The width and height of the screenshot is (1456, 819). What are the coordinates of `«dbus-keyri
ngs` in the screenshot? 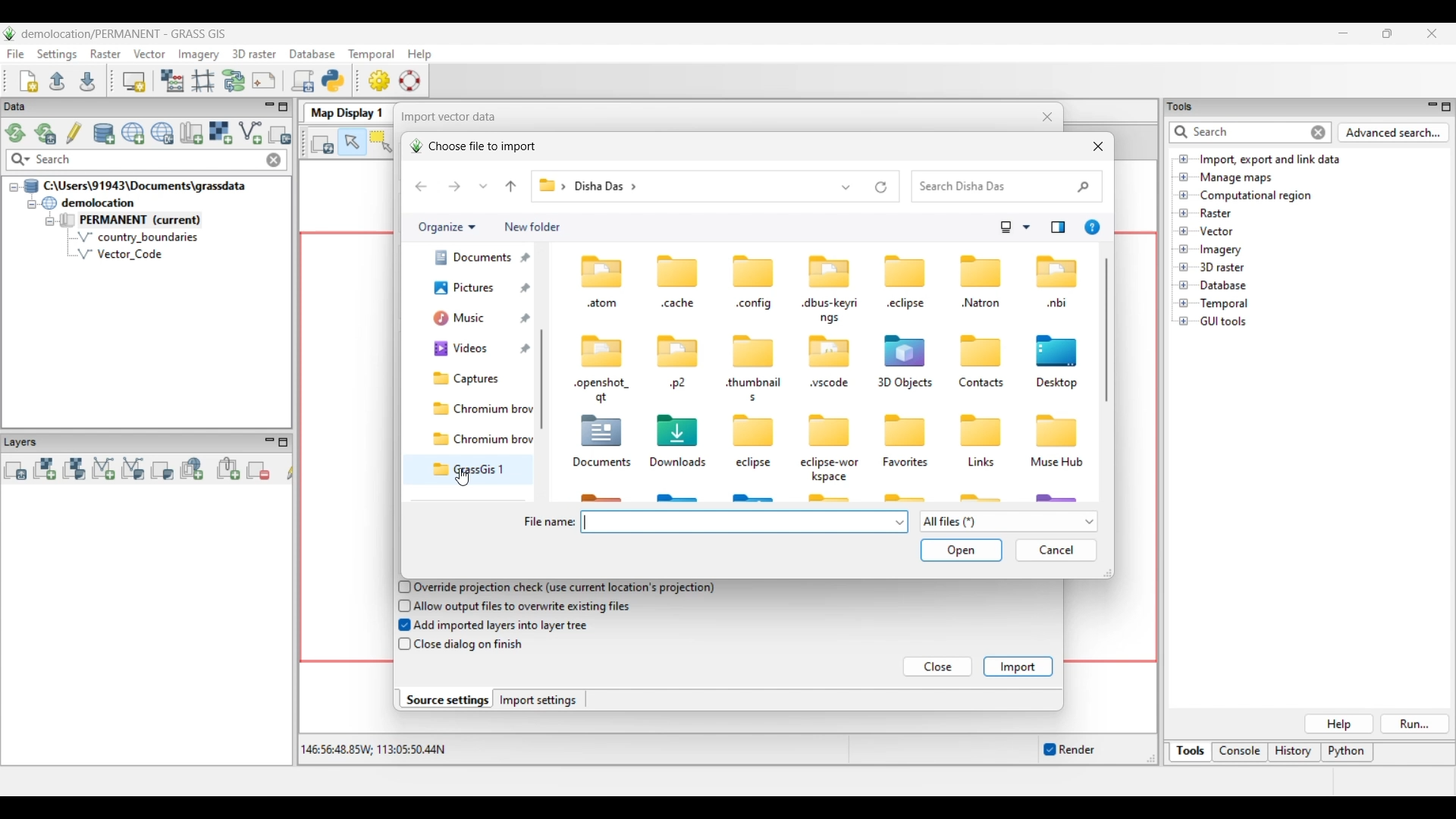 It's located at (830, 311).